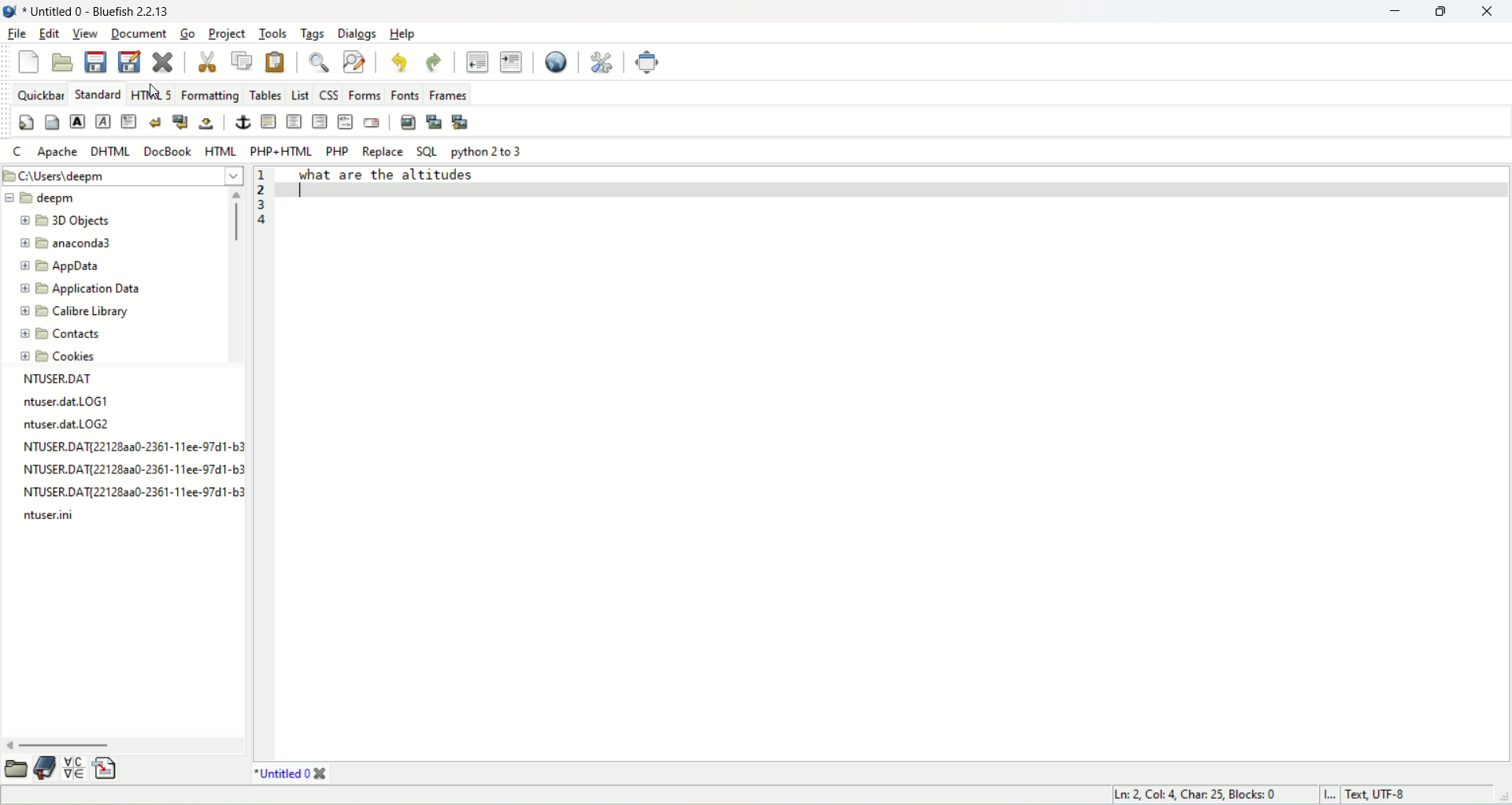  Describe the element at coordinates (241, 122) in the screenshot. I see `anchor/hyperlink` at that location.